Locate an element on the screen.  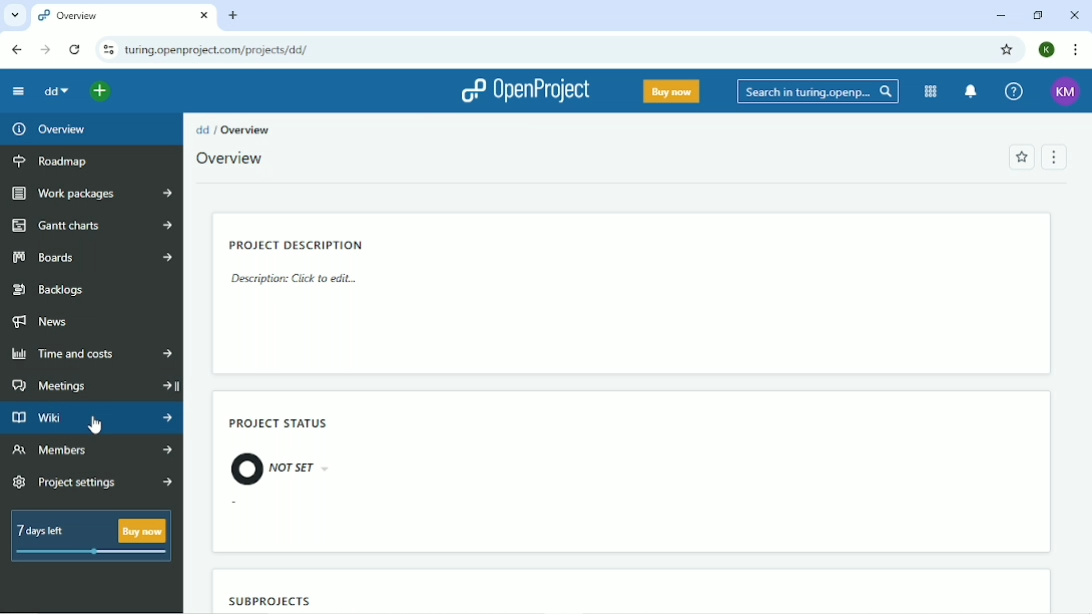
Reload this page is located at coordinates (76, 50).